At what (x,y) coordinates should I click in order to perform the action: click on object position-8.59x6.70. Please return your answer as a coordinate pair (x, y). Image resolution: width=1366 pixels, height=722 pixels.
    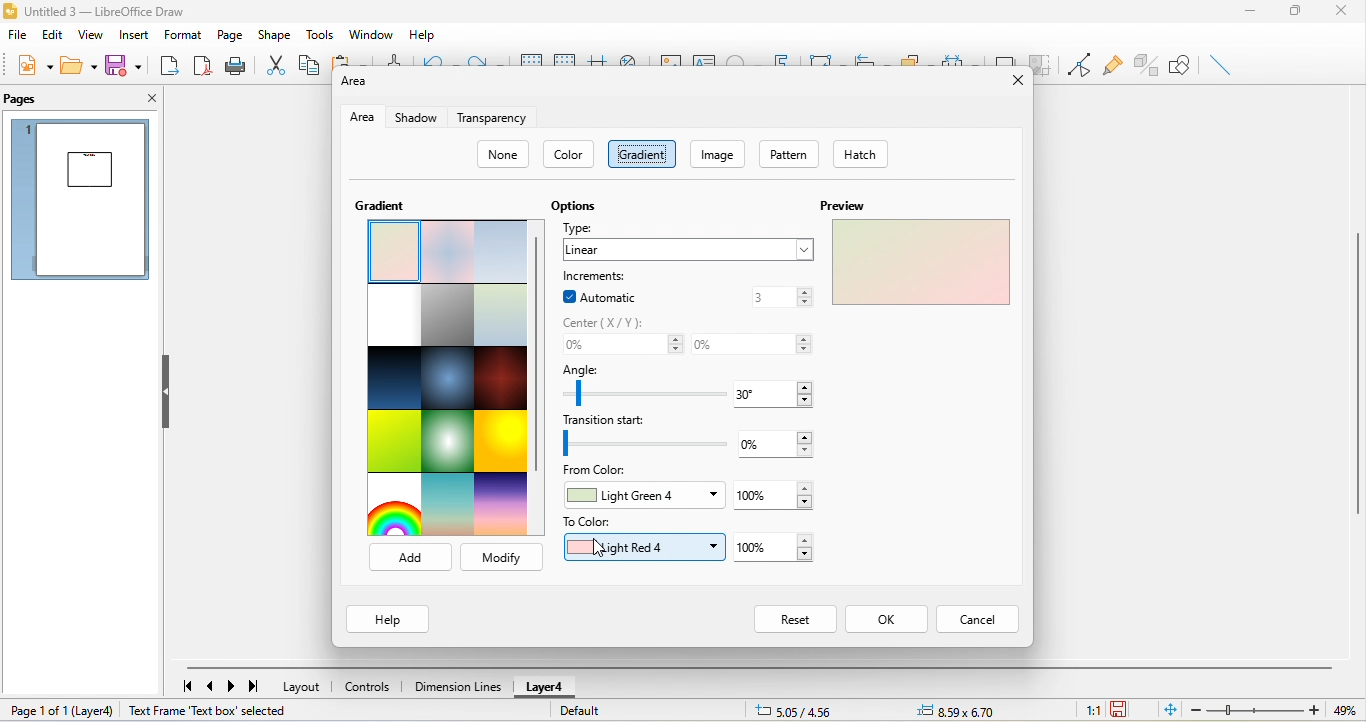
    Looking at the image, I should click on (961, 712).